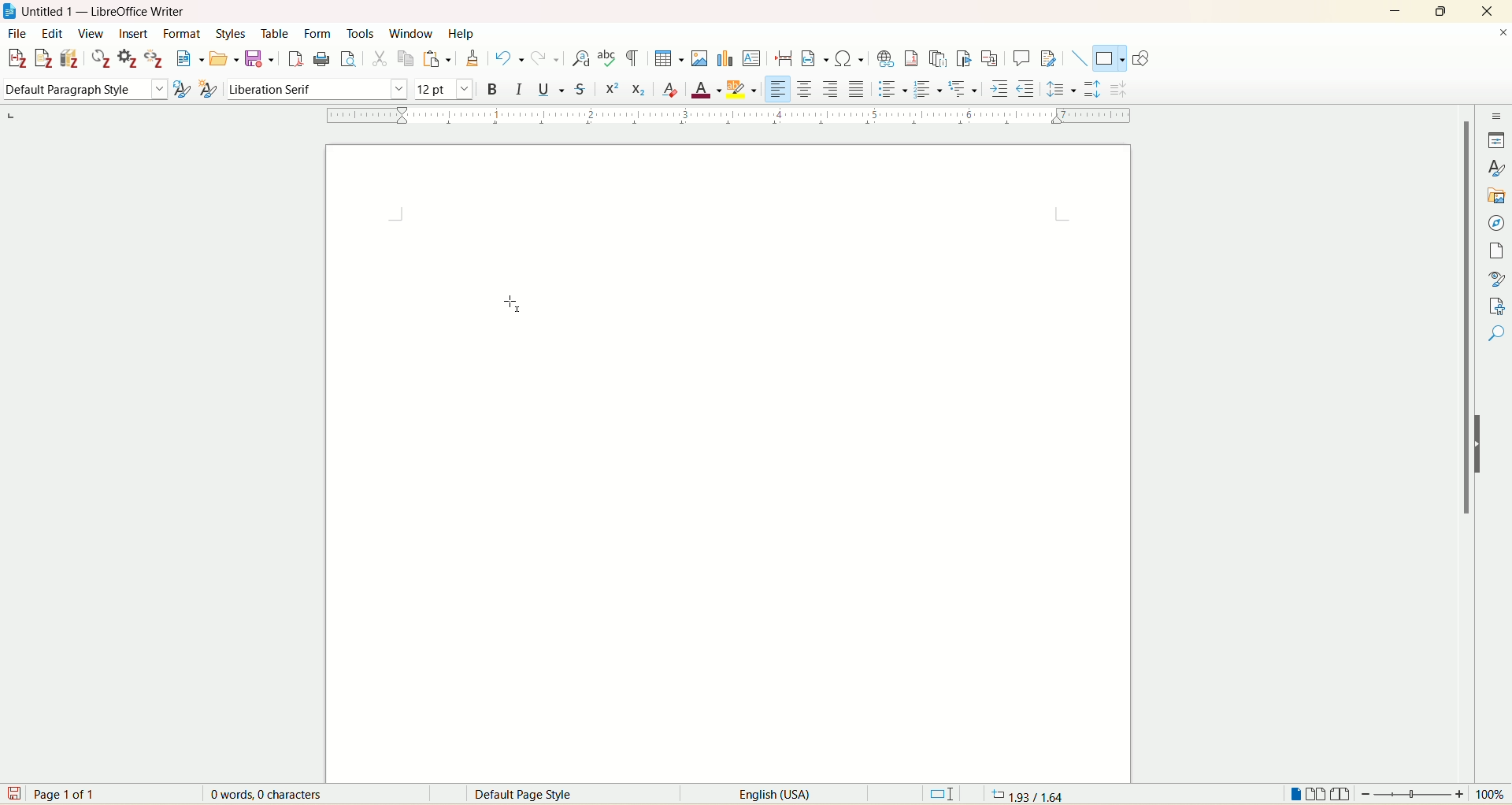 This screenshot has height=805, width=1512. What do you see at coordinates (1503, 33) in the screenshot?
I see `close document` at bounding box center [1503, 33].